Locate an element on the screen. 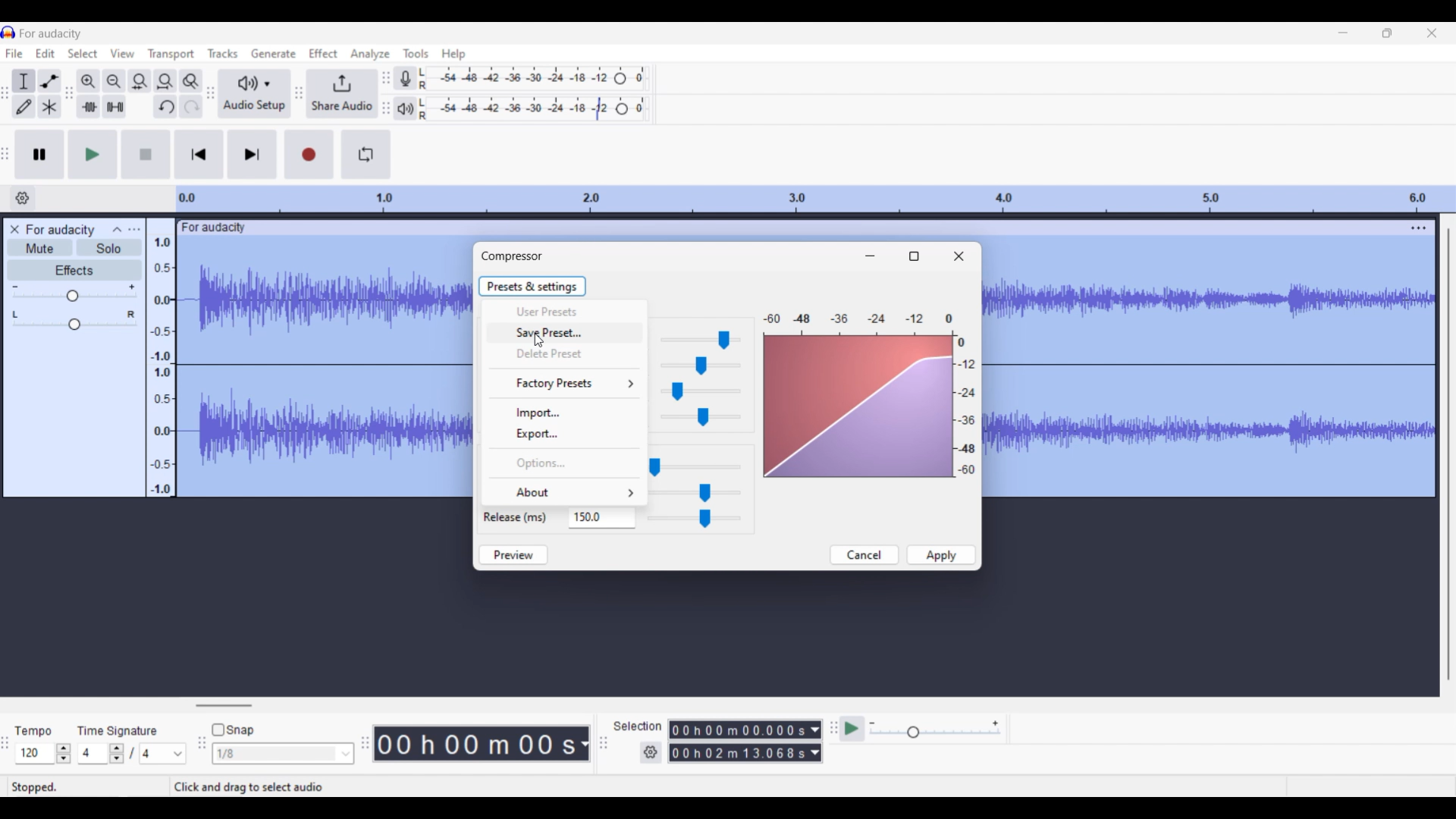  Select menu is located at coordinates (83, 53).